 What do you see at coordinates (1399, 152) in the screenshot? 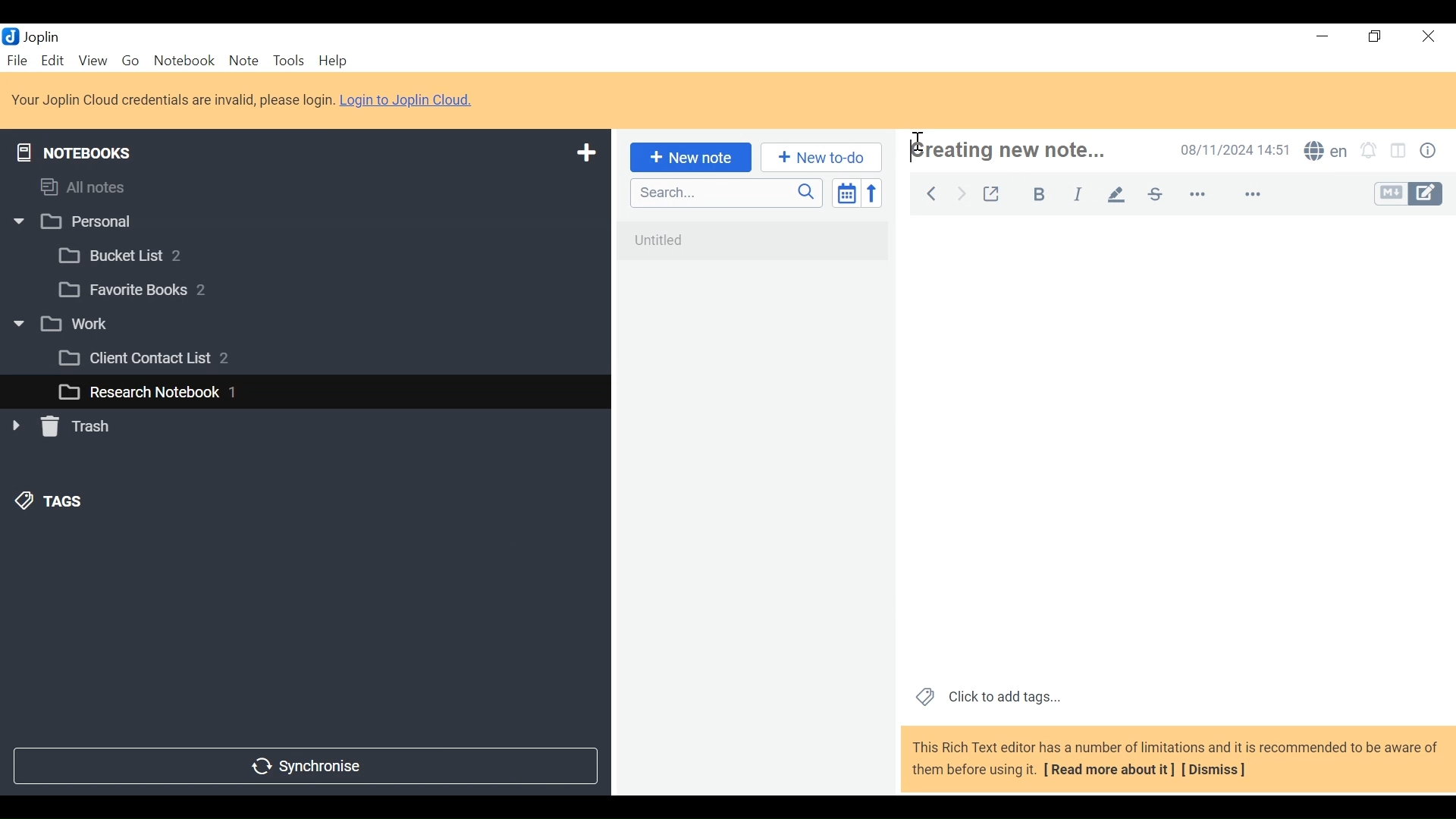
I see `Toggle Editor layout` at bounding box center [1399, 152].